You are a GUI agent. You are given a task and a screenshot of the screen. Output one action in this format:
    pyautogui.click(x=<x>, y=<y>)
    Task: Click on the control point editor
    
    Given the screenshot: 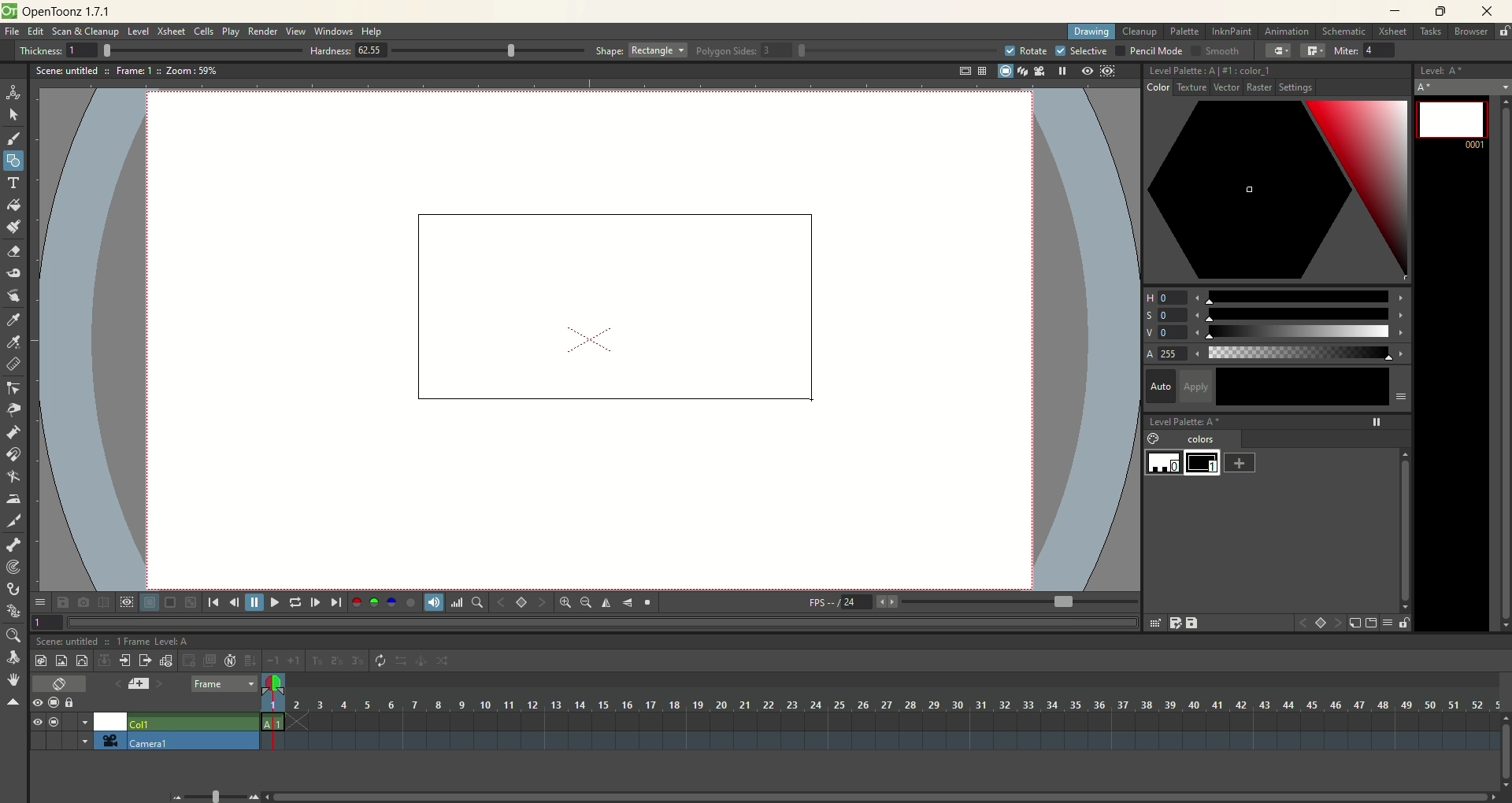 What is the action you would take?
    pyautogui.click(x=14, y=390)
    